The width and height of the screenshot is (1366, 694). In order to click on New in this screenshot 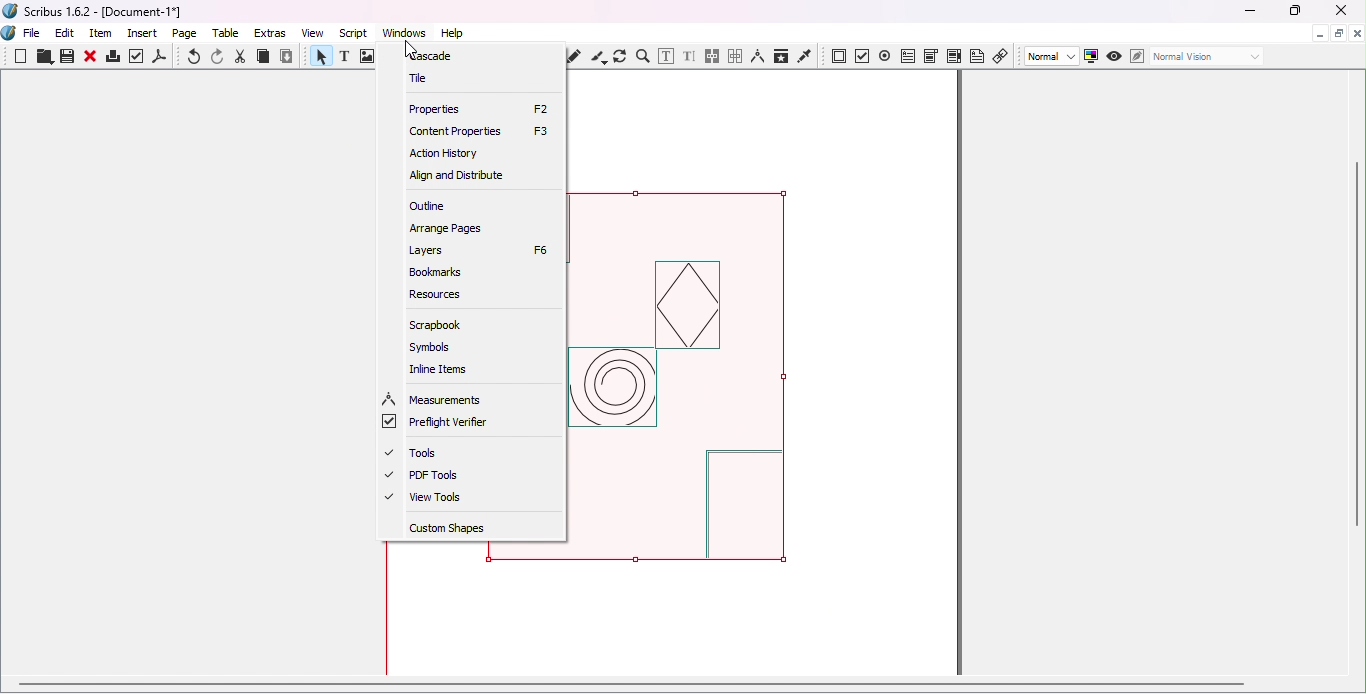, I will do `click(21, 56)`.